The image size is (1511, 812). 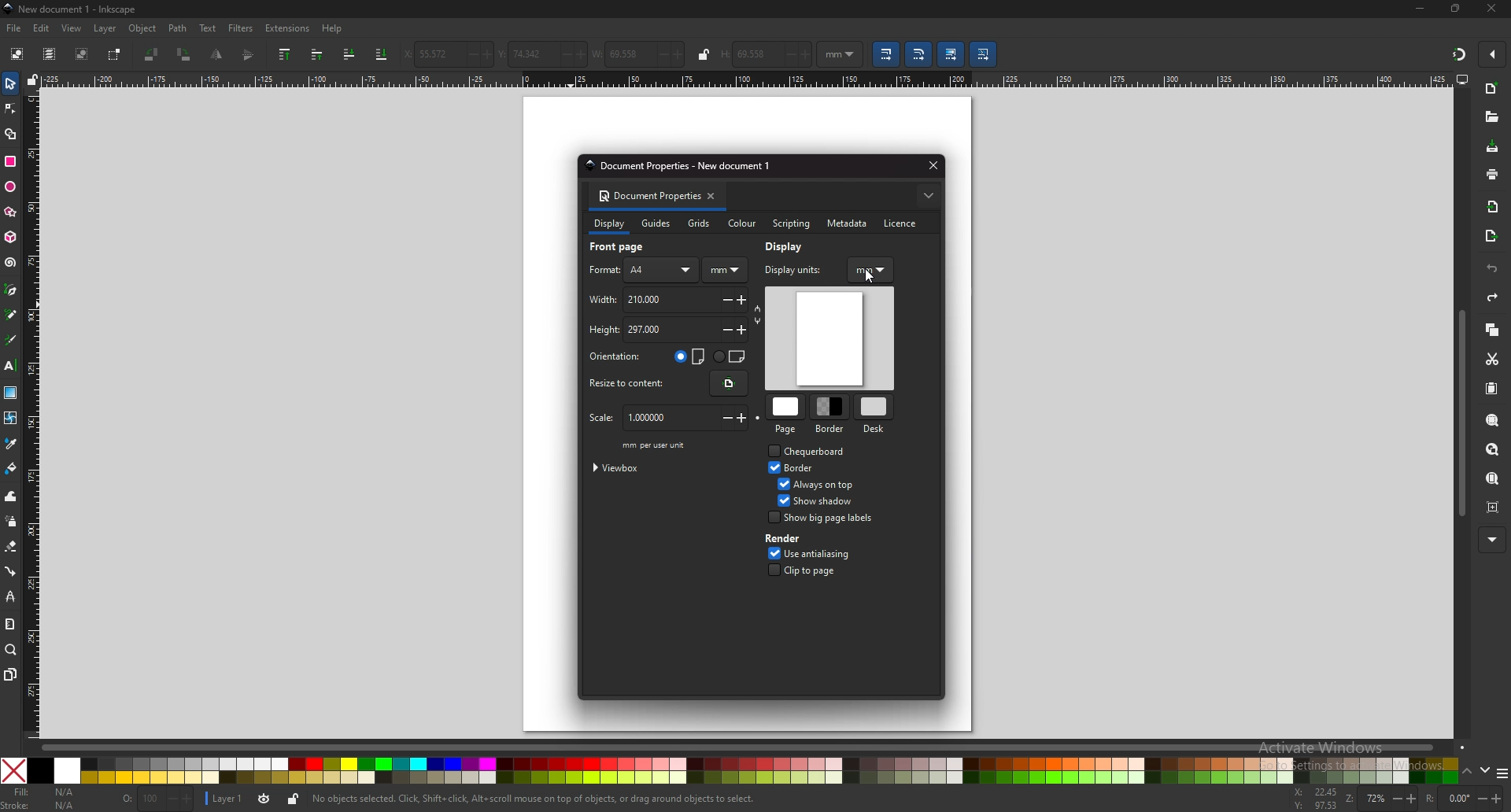 I want to click on spray, so click(x=11, y=522).